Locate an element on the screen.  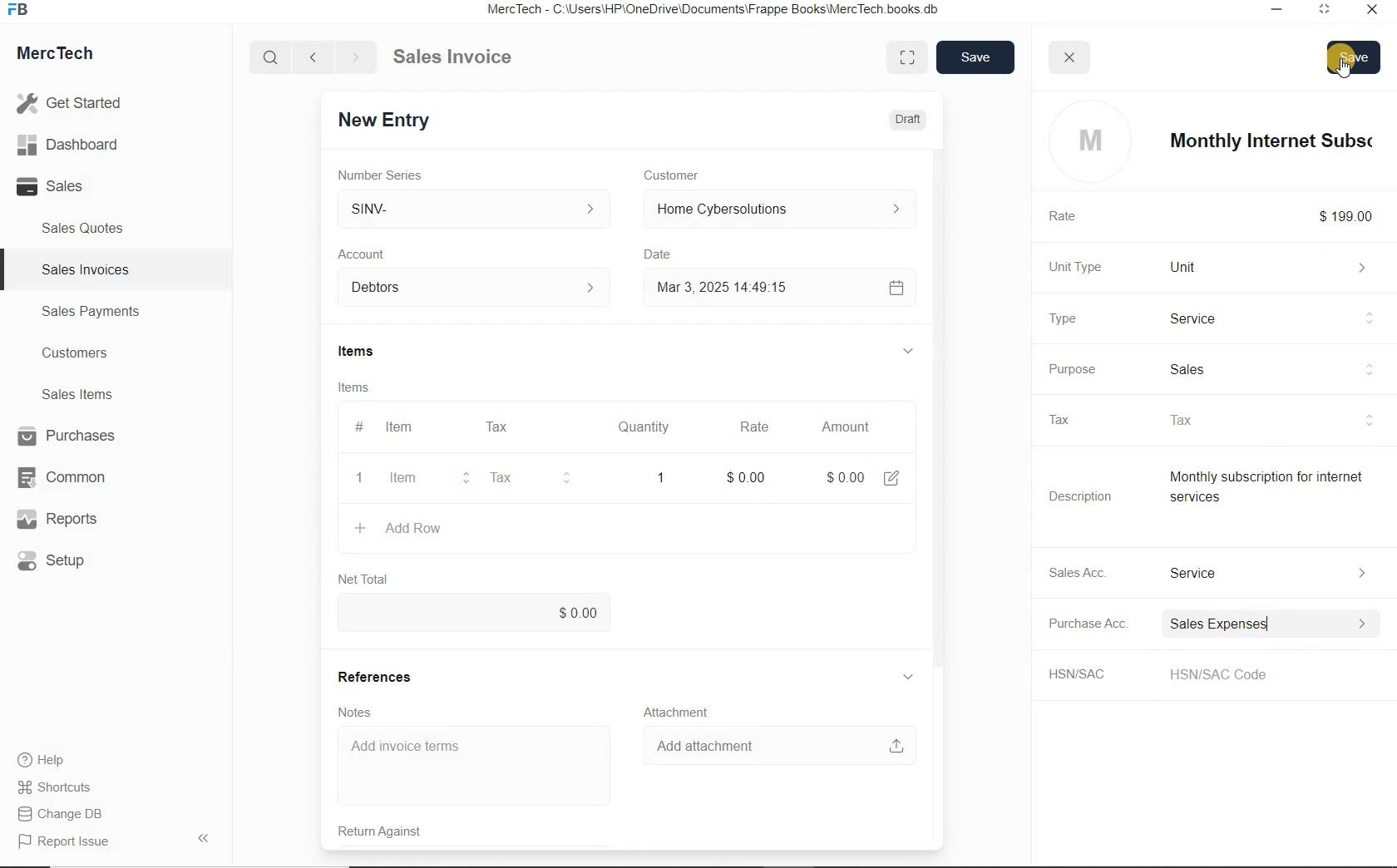
item line number is located at coordinates (354, 455).